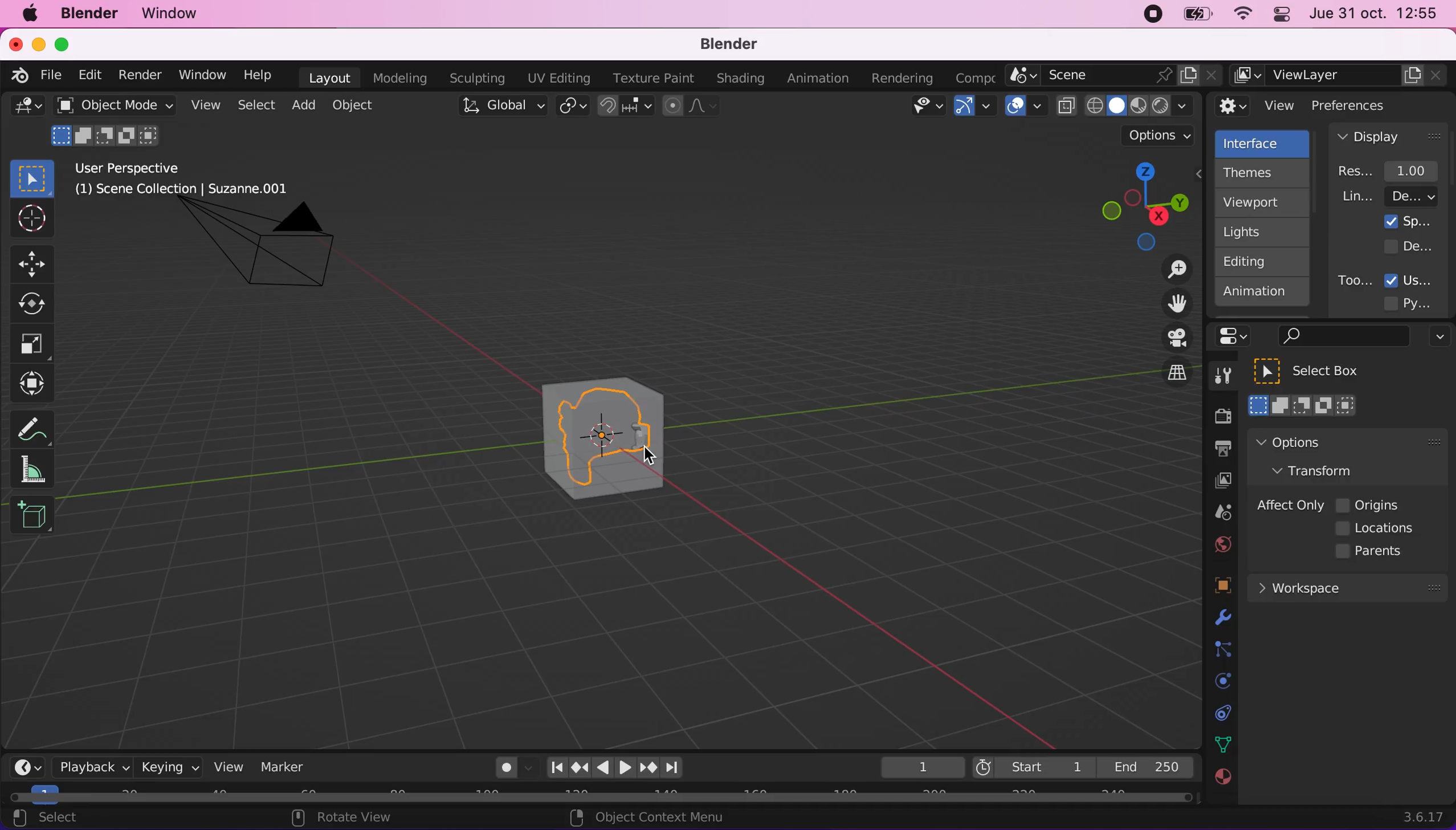 This screenshot has width=1456, height=830. Describe the element at coordinates (58, 819) in the screenshot. I see `select` at that location.